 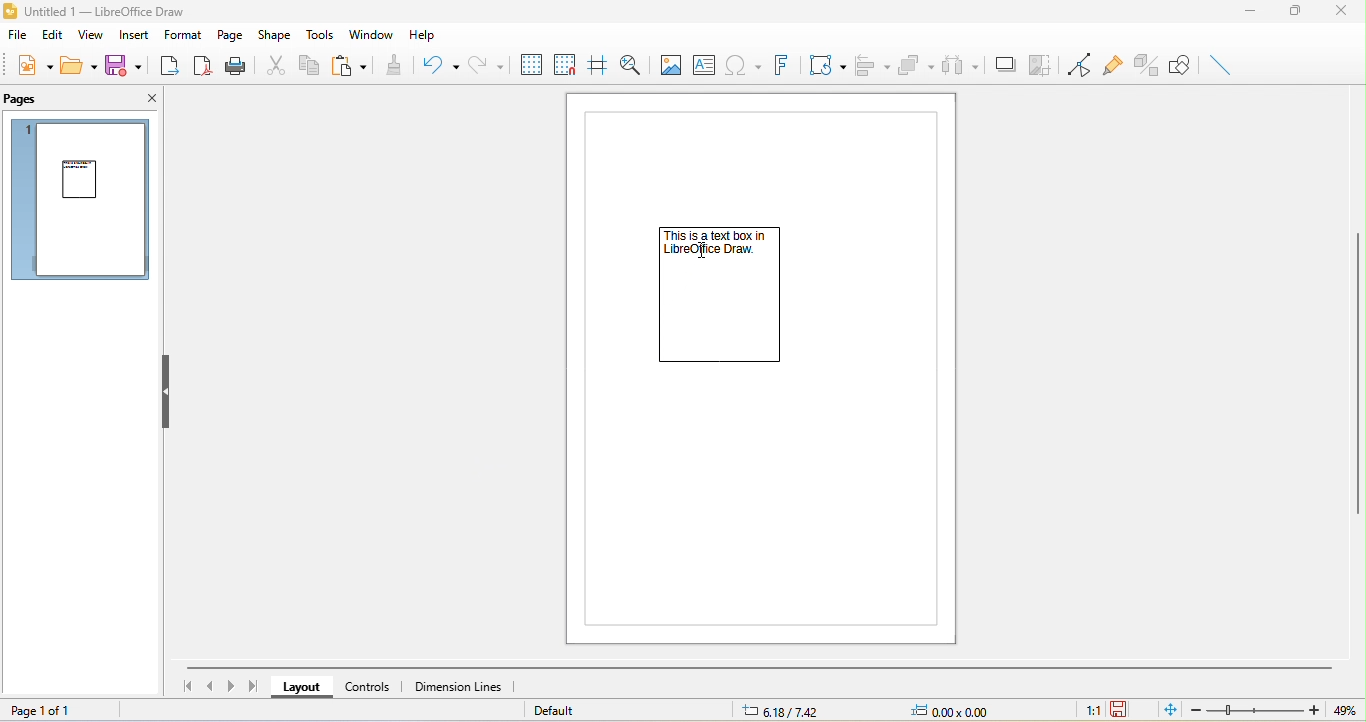 I want to click on horizontal scroll bar, so click(x=756, y=669).